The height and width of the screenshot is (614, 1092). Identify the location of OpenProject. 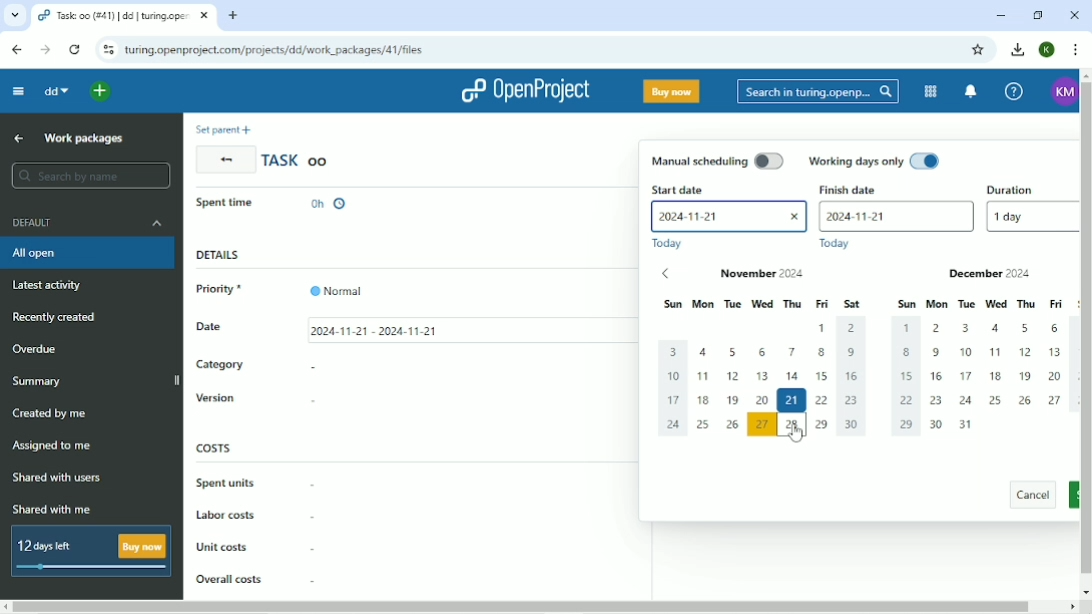
(524, 89).